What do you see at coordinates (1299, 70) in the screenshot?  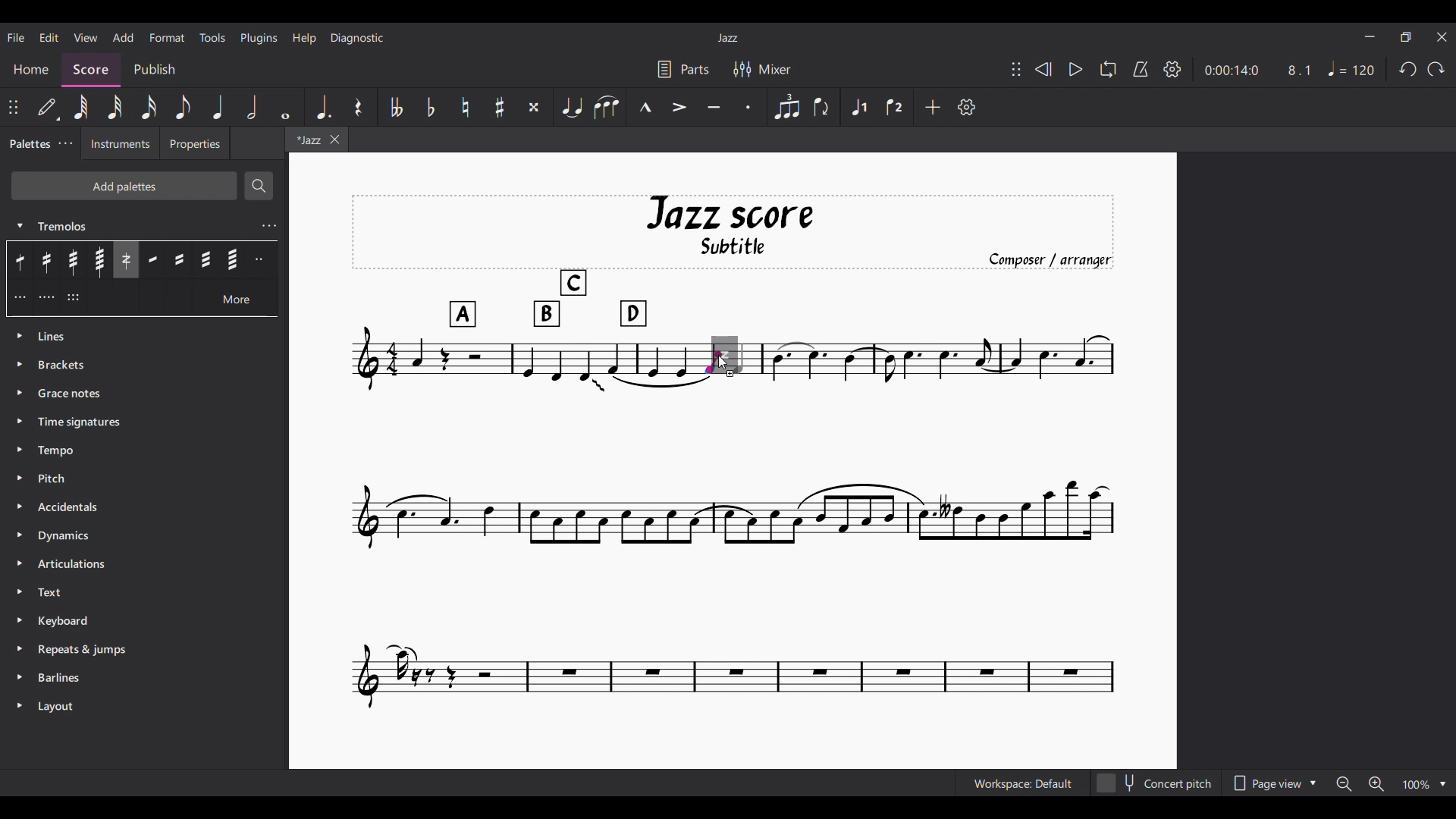 I see `8.1` at bounding box center [1299, 70].